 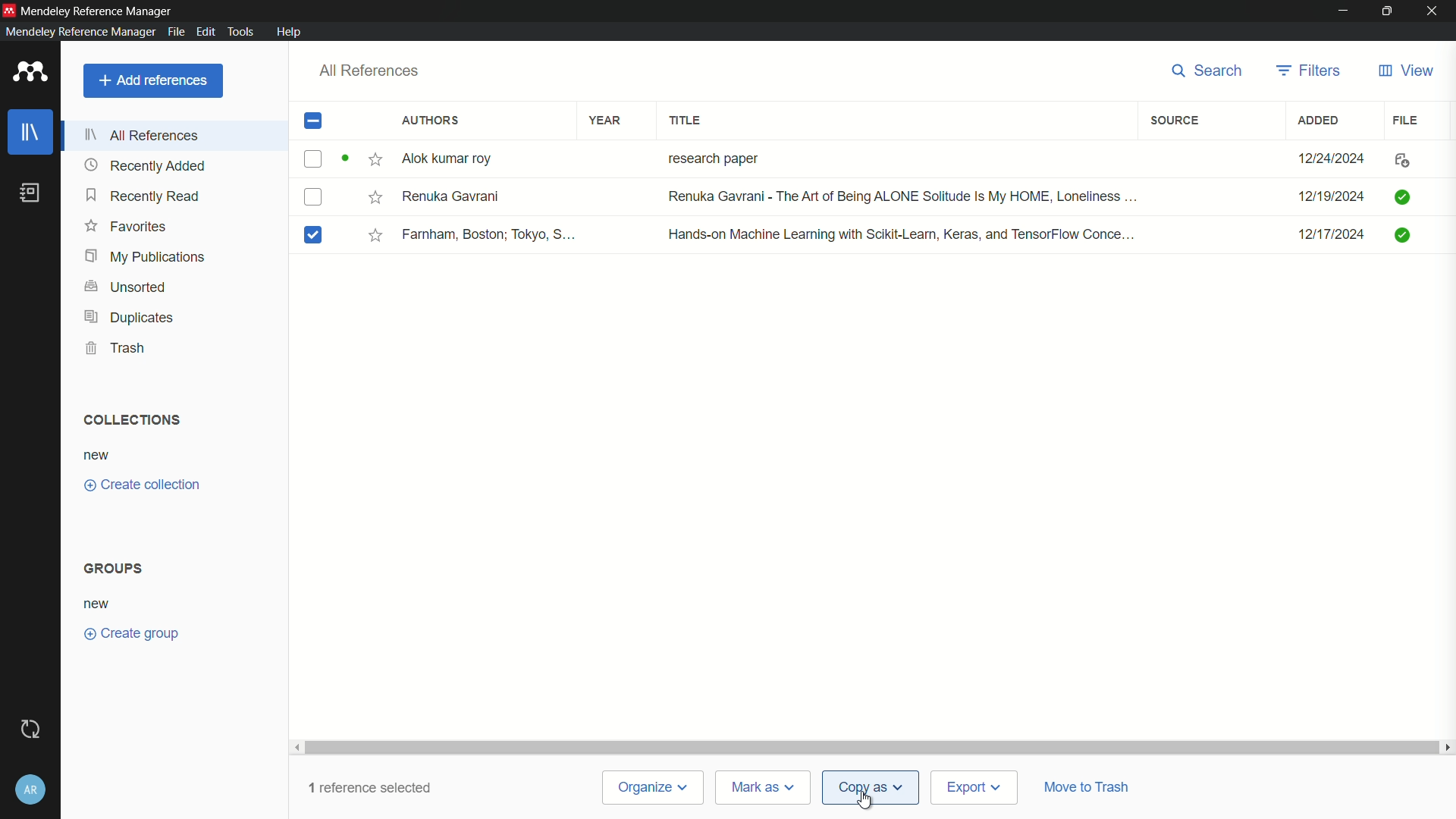 What do you see at coordinates (456, 199) in the screenshot?
I see `Renuka Gavrani` at bounding box center [456, 199].